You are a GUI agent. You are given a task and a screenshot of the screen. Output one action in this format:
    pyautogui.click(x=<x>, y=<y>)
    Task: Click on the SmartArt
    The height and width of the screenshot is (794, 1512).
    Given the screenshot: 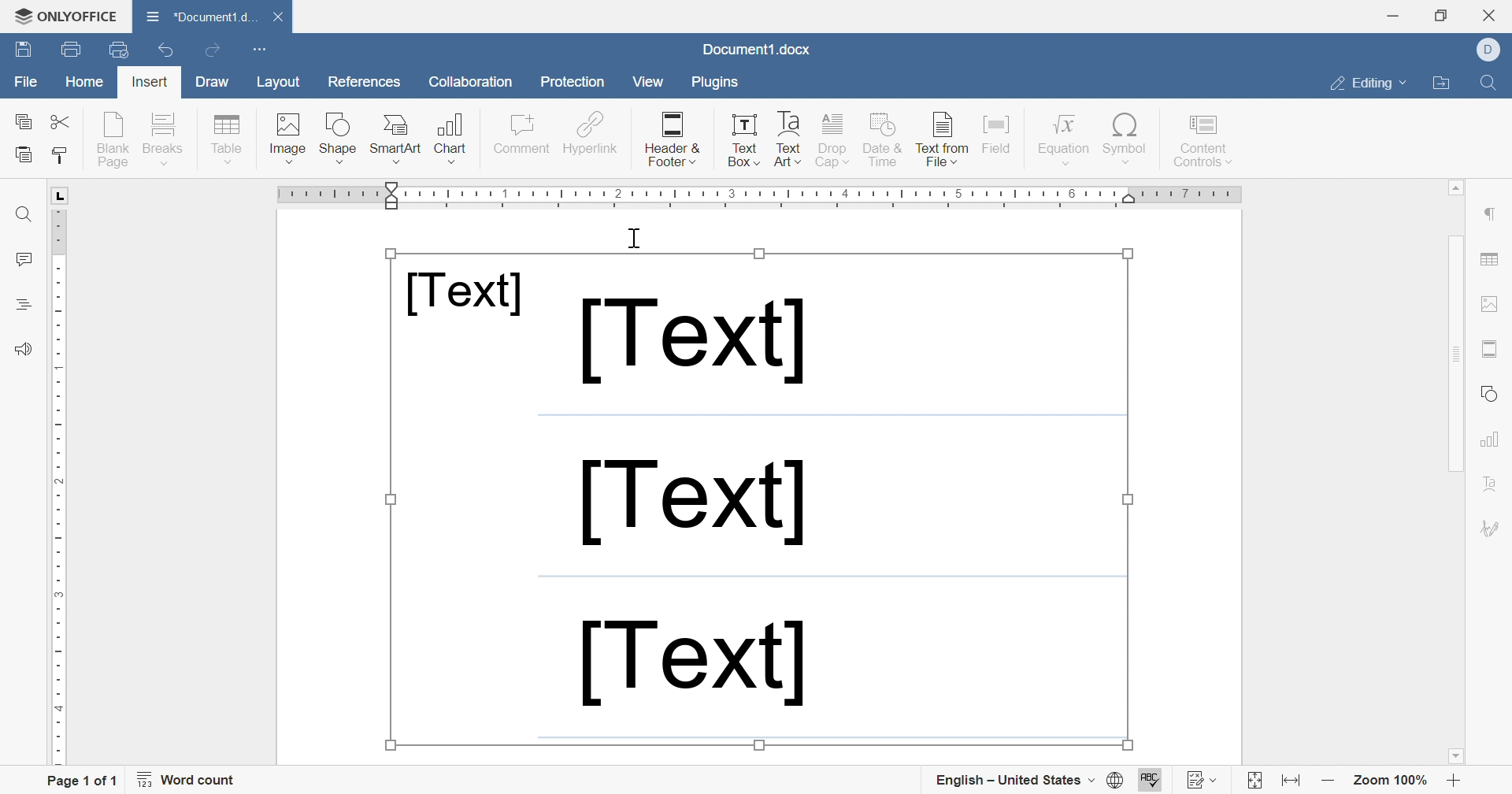 What is the action you would take?
    pyautogui.click(x=396, y=137)
    